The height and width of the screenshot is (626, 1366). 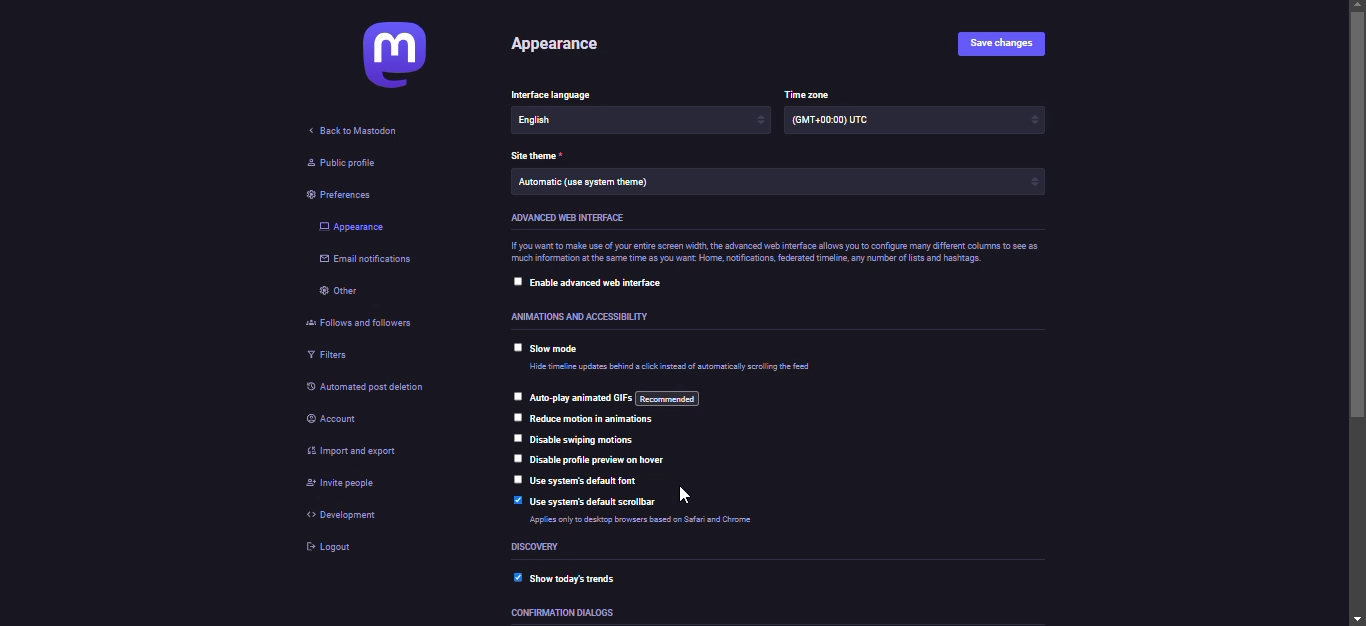 I want to click on preferences, so click(x=344, y=192).